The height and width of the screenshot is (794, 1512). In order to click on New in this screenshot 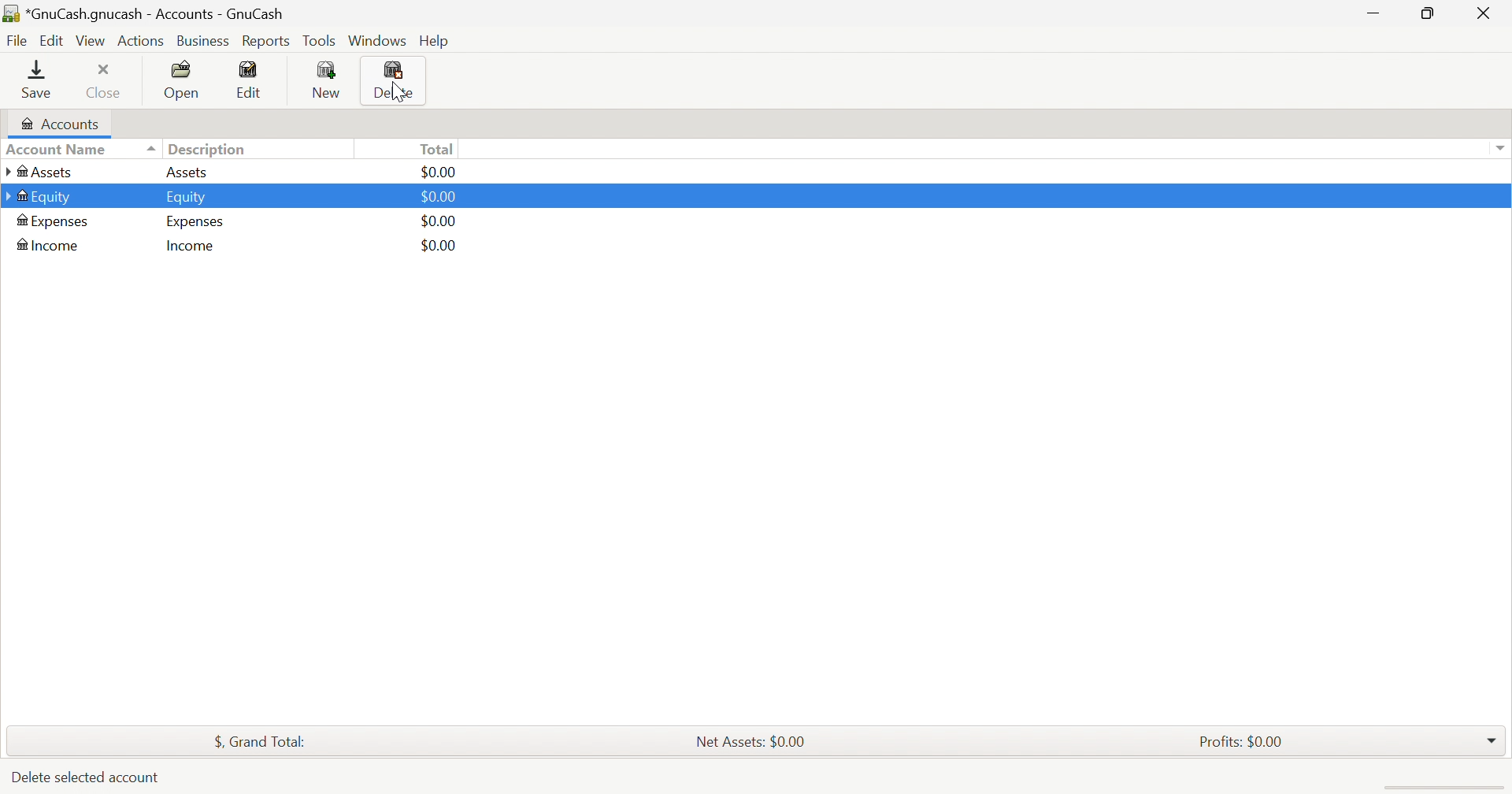, I will do `click(330, 80)`.